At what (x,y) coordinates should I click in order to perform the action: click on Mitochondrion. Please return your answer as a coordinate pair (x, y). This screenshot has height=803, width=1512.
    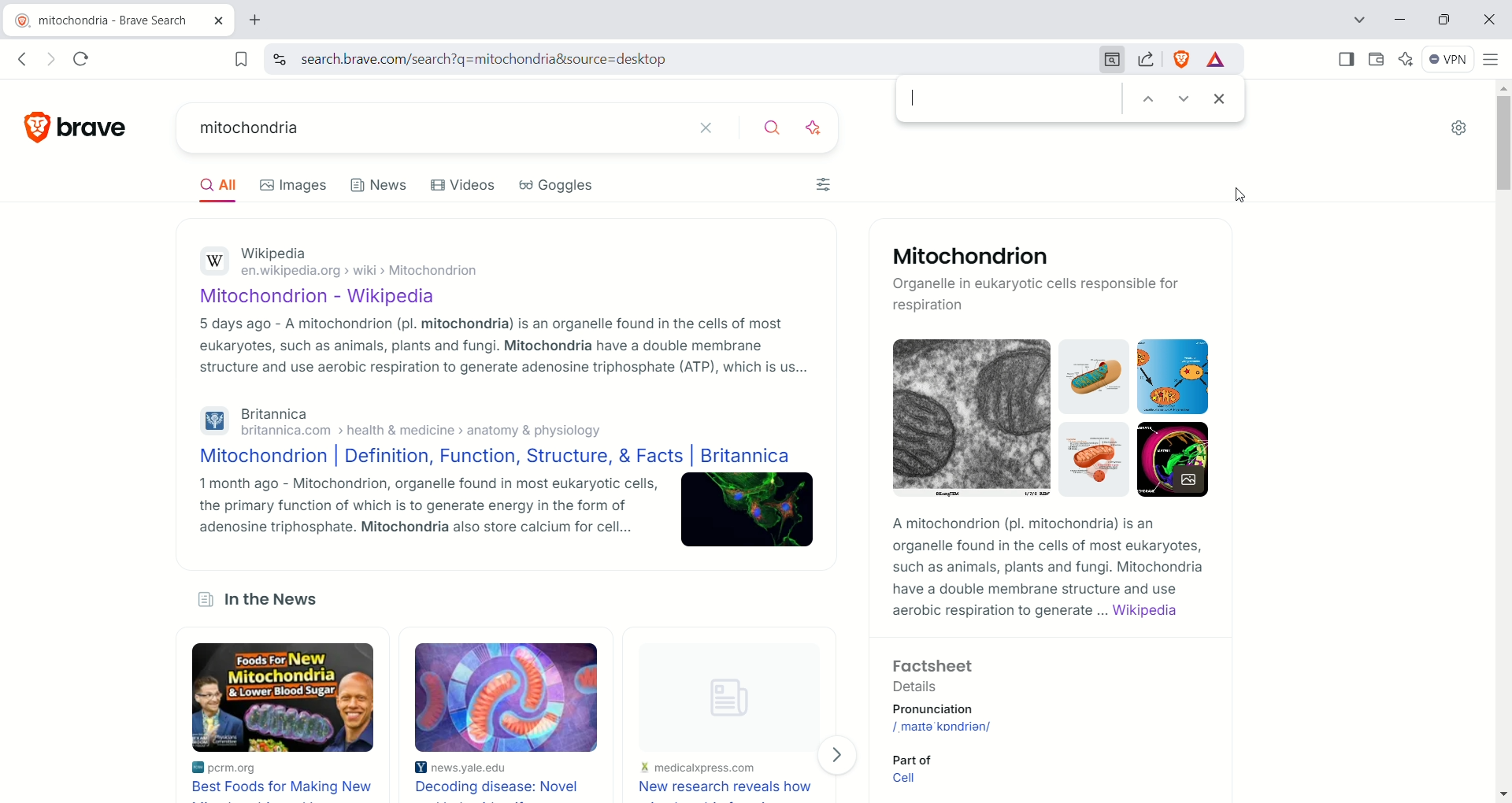
    Looking at the image, I should click on (1023, 256).